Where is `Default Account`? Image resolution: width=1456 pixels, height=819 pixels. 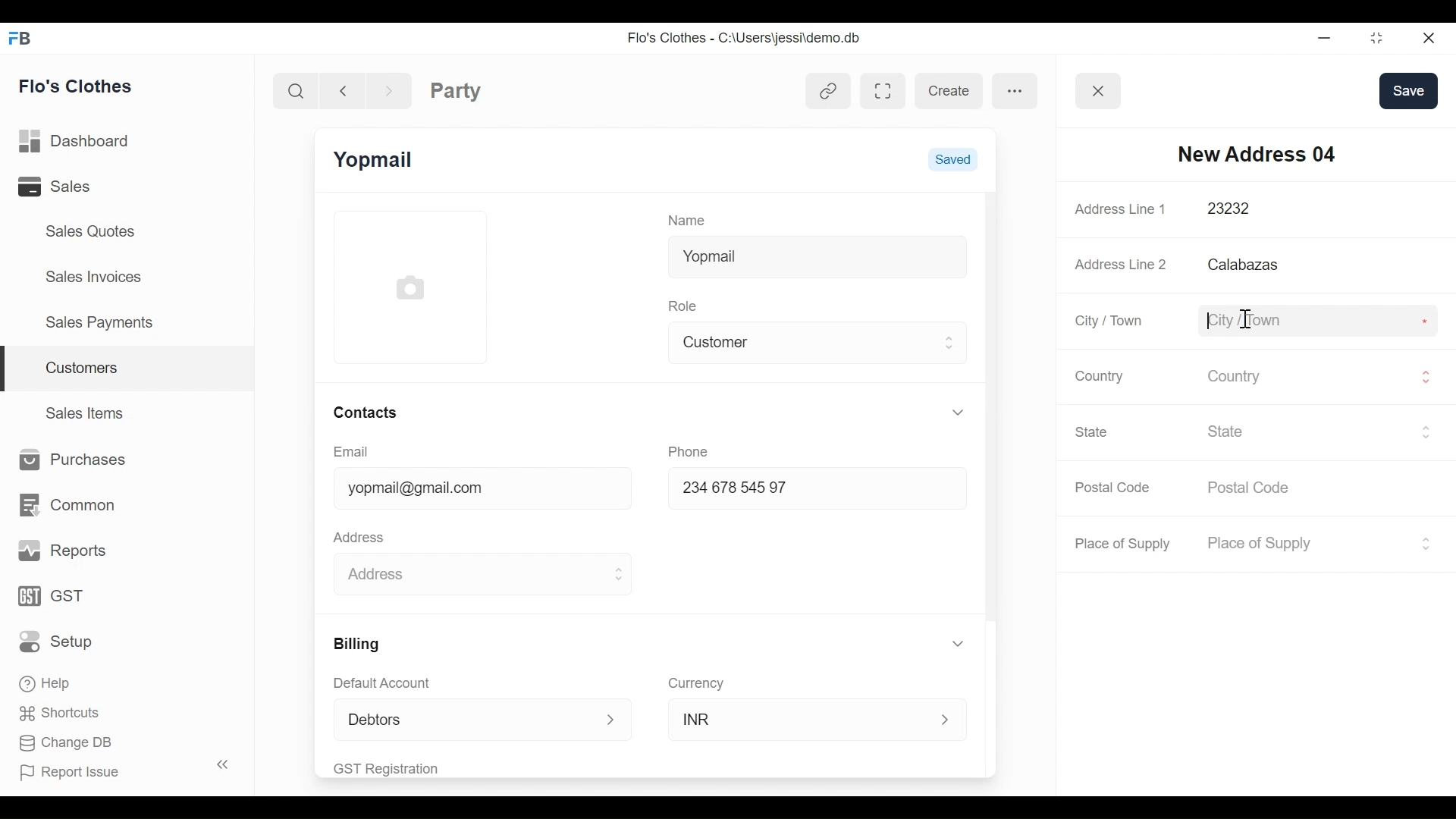
Default Account is located at coordinates (392, 682).